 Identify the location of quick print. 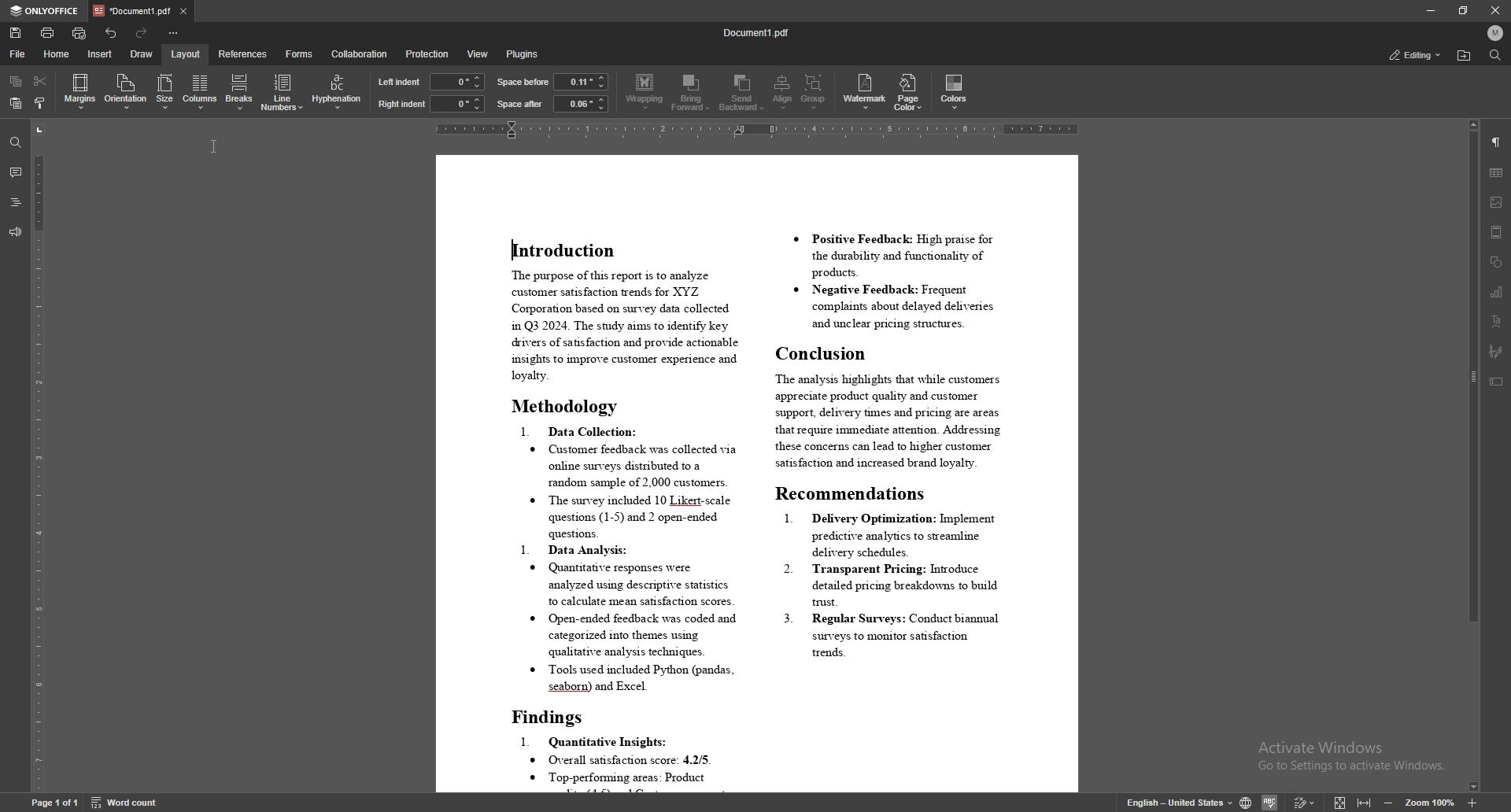
(79, 34).